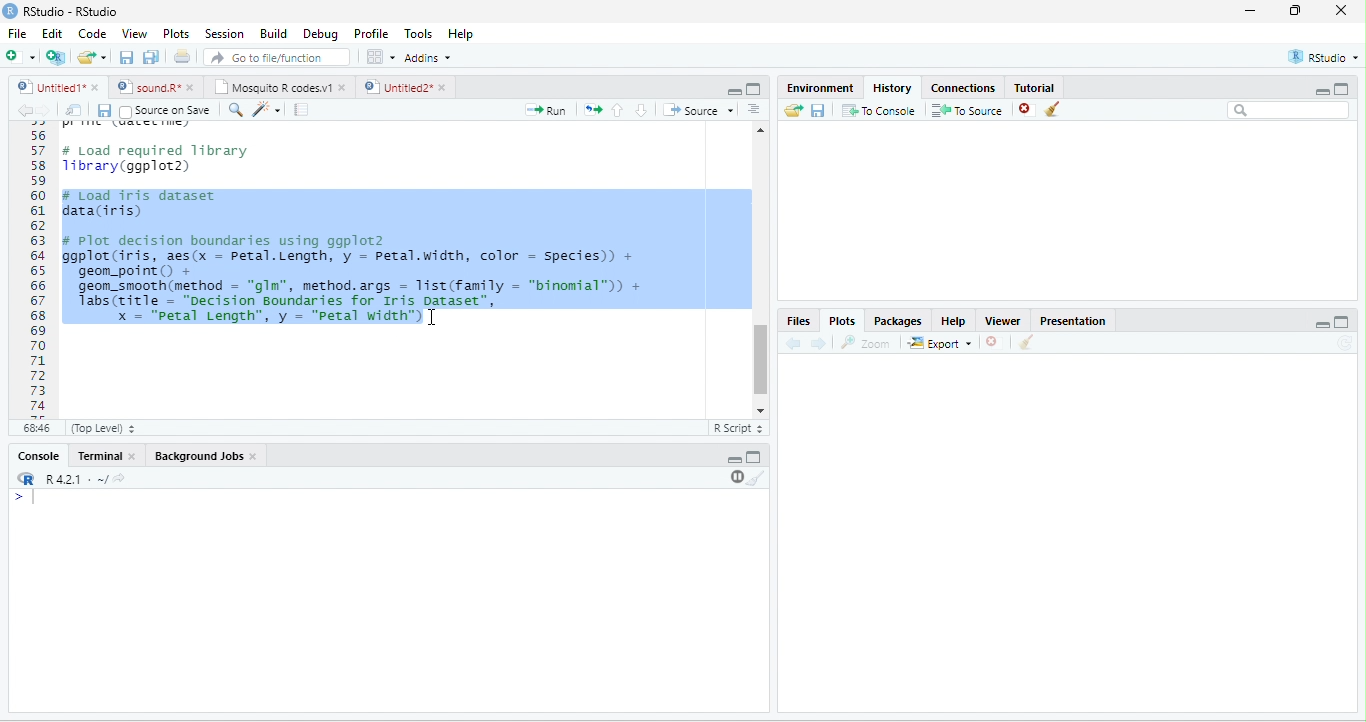  Describe the element at coordinates (592, 110) in the screenshot. I see `rerun` at that location.